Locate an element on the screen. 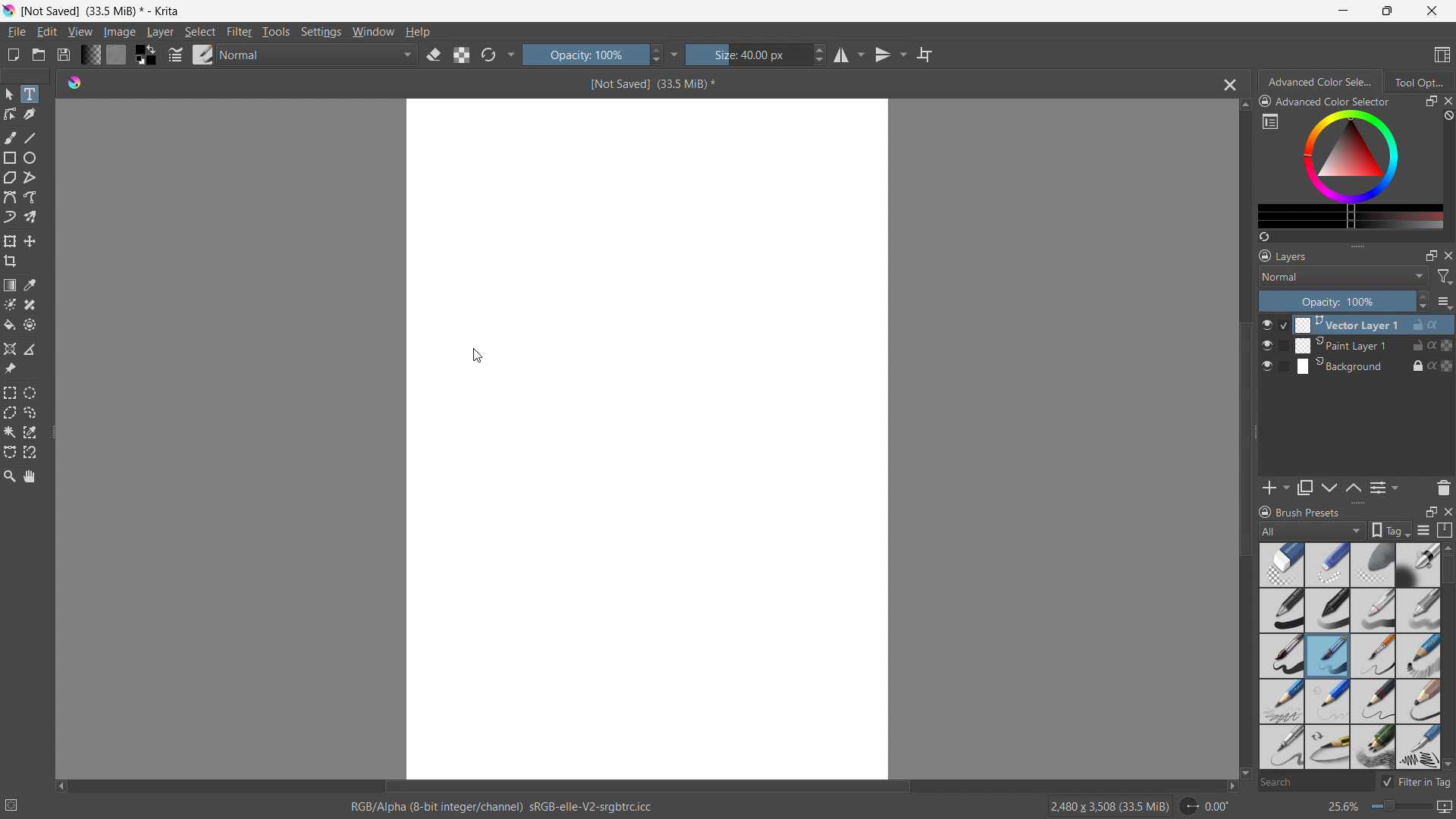 Image resolution: width=1456 pixels, height=819 pixels. not saved (33.5 MB)* - Krita is located at coordinates (104, 10).